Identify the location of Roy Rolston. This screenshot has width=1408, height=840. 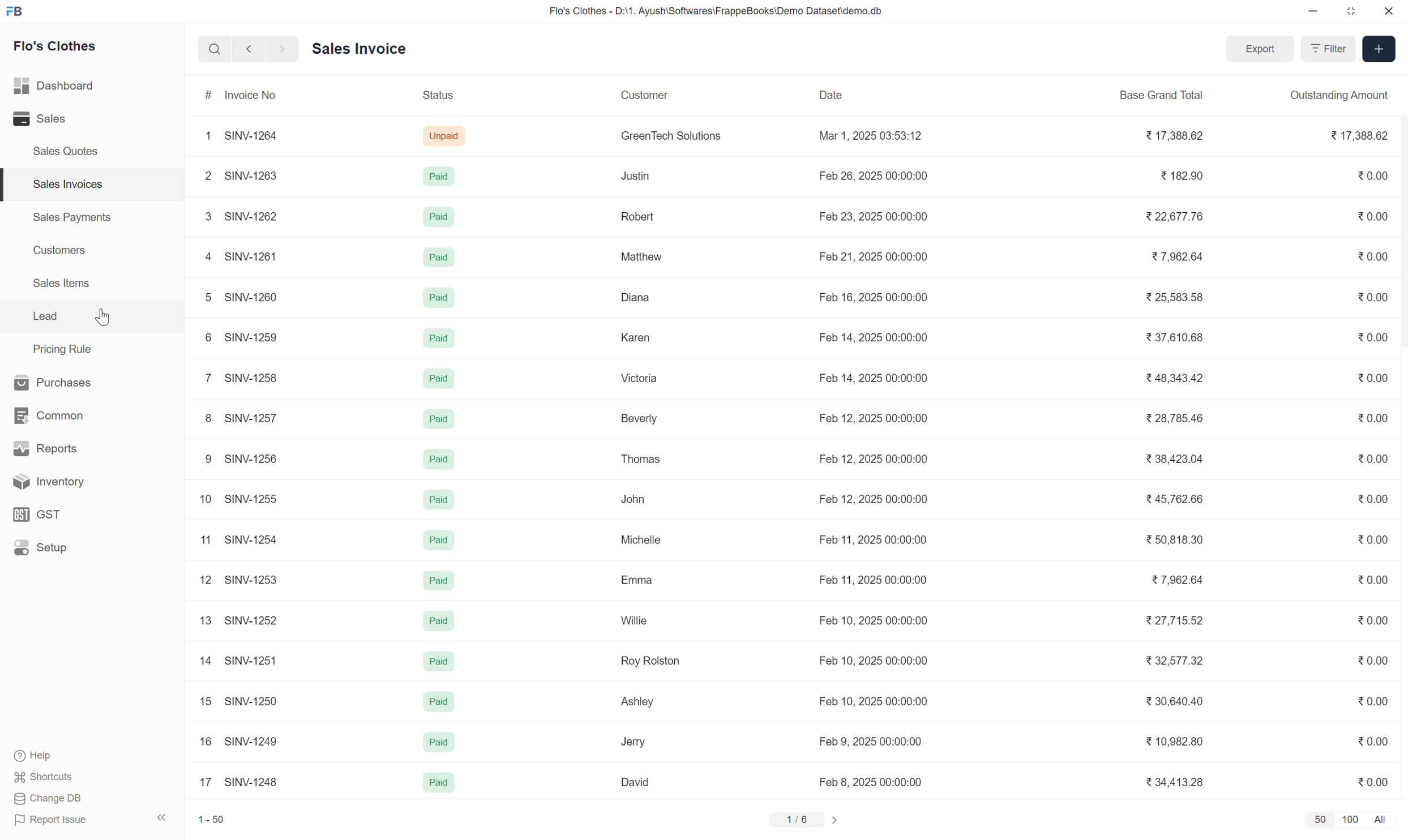
(652, 661).